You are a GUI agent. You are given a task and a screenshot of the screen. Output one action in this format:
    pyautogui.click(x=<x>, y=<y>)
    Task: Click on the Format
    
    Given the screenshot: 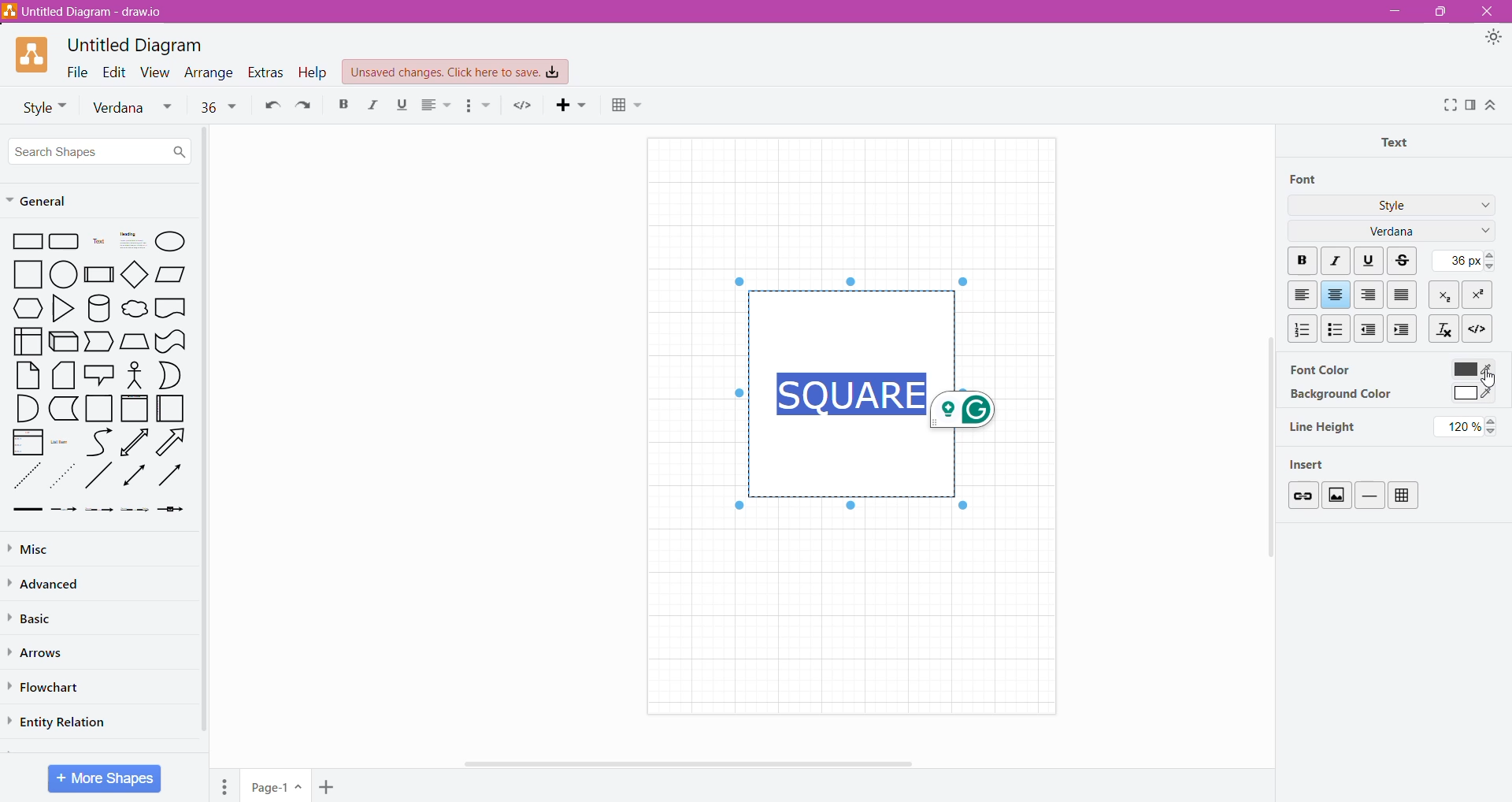 What is the action you would take?
    pyautogui.click(x=1471, y=105)
    